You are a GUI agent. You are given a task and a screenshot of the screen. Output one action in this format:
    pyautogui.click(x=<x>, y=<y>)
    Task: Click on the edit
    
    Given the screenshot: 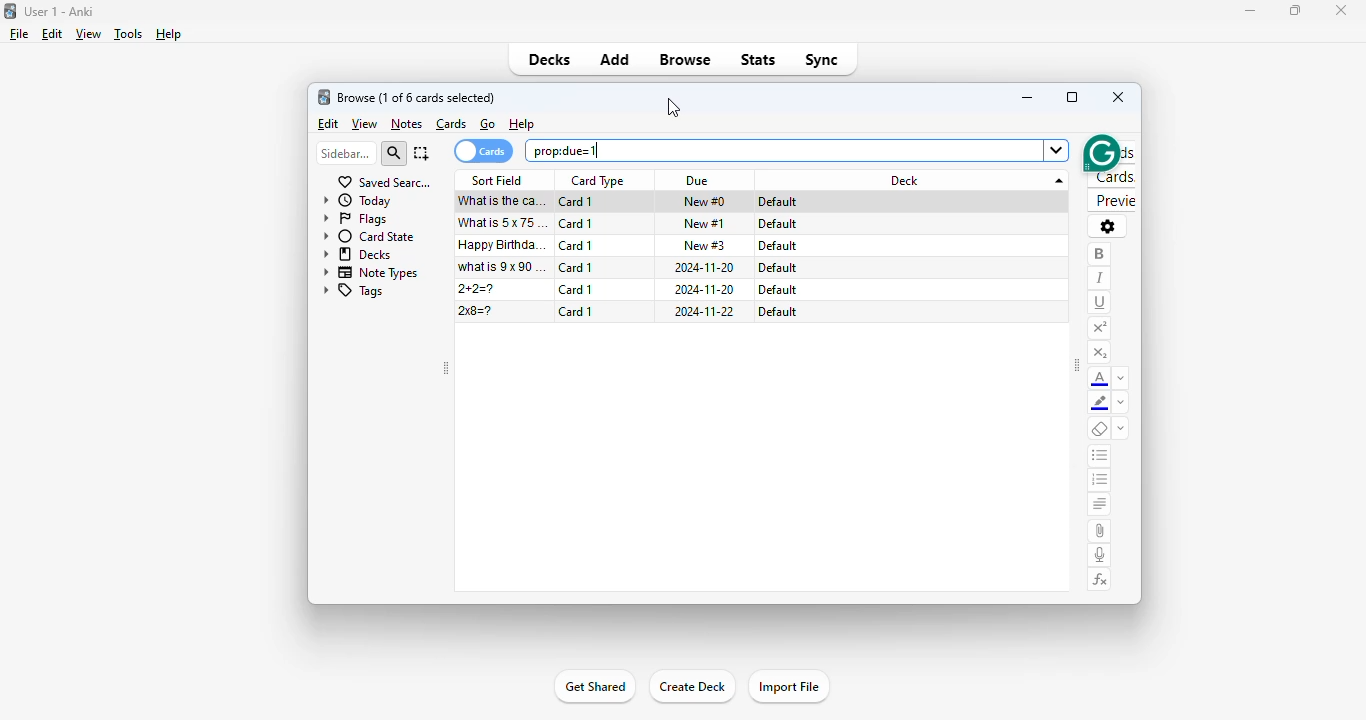 What is the action you would take?
    pyautogui.click(x=52, y=34)
    